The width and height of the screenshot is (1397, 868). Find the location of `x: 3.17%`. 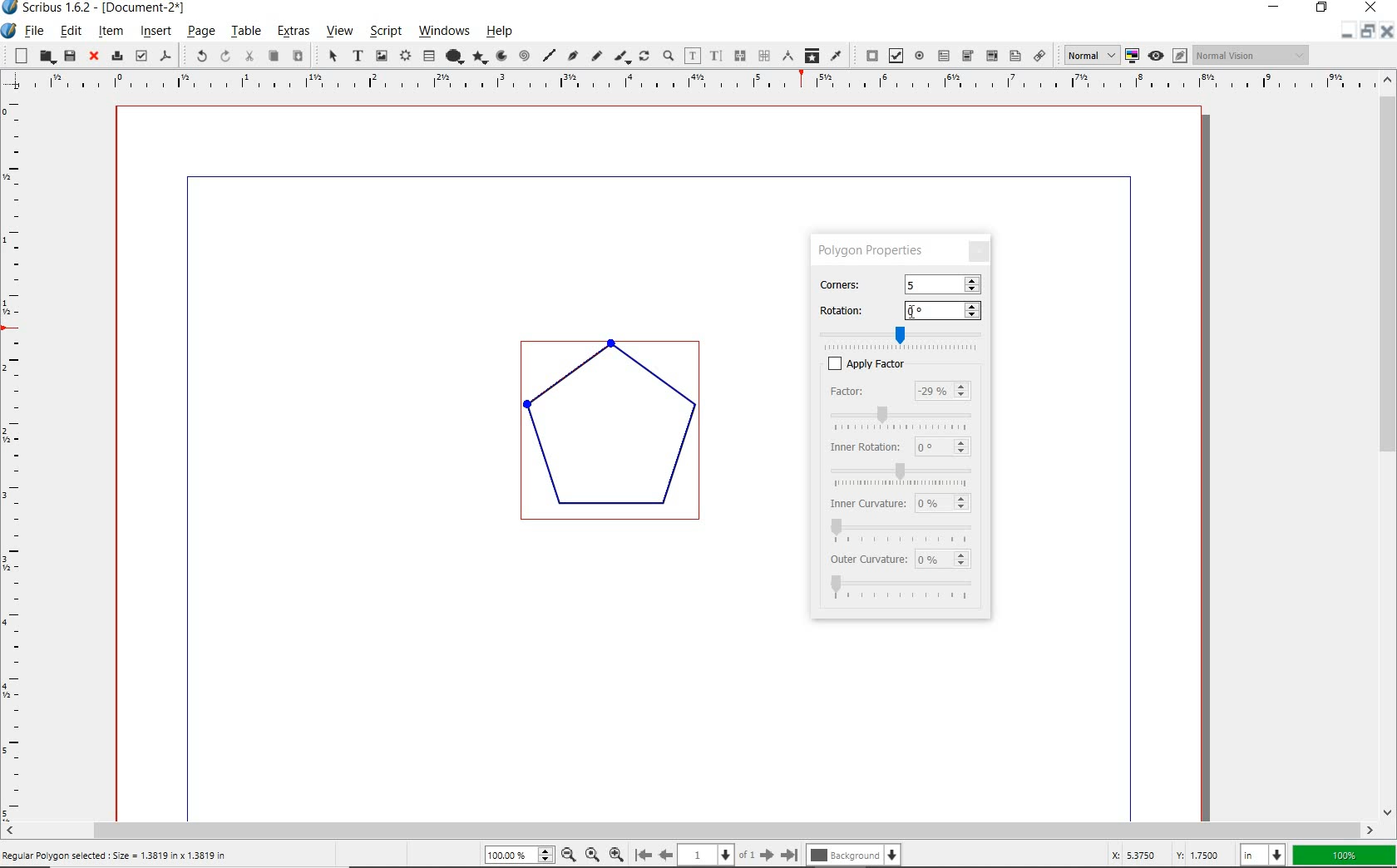

x: 3.17% is located at coordinates (1130, 855).